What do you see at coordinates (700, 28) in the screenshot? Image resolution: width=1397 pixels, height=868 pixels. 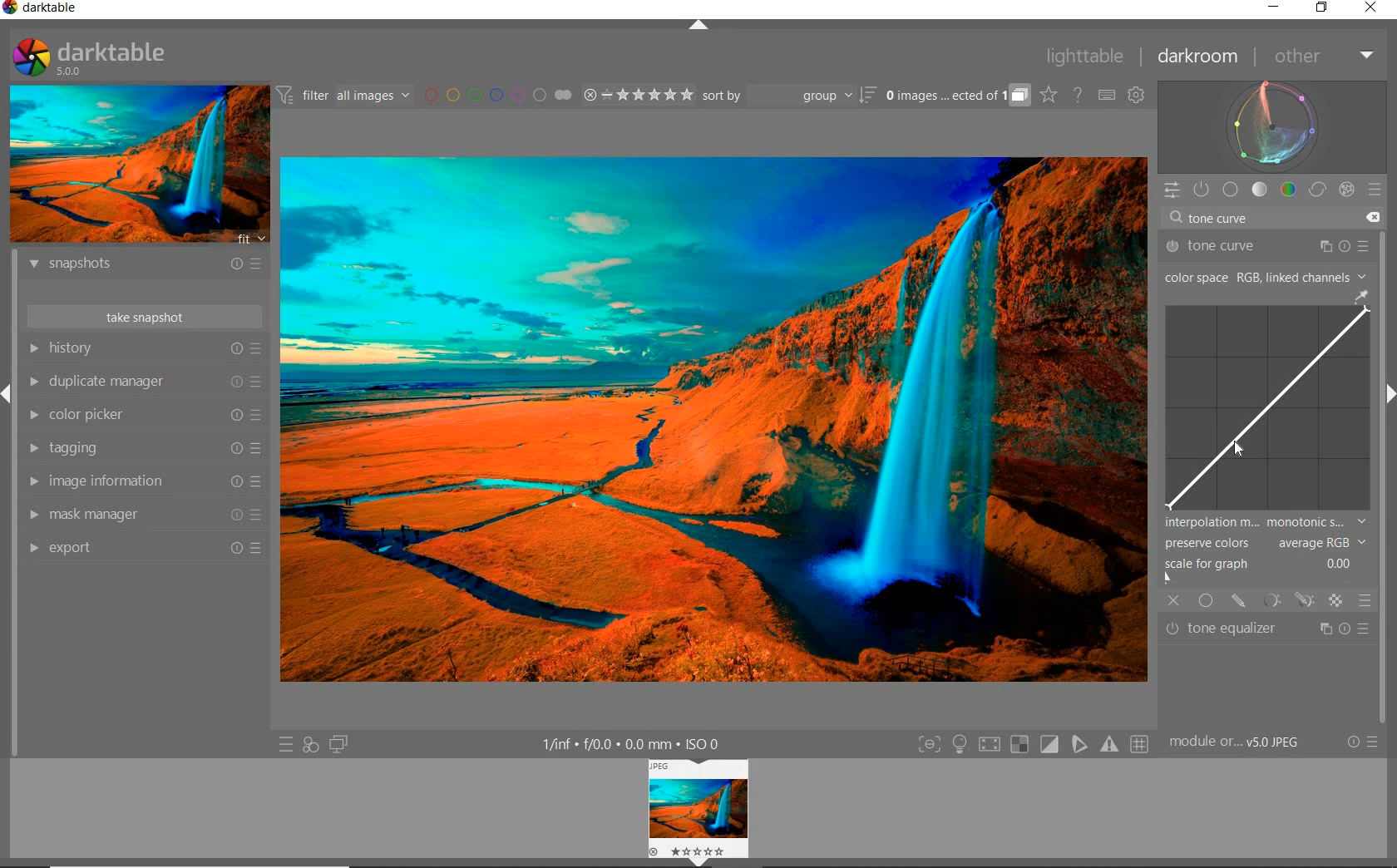 I see `EXPAND/COLLAPSE` at bounding box center [700, 28].